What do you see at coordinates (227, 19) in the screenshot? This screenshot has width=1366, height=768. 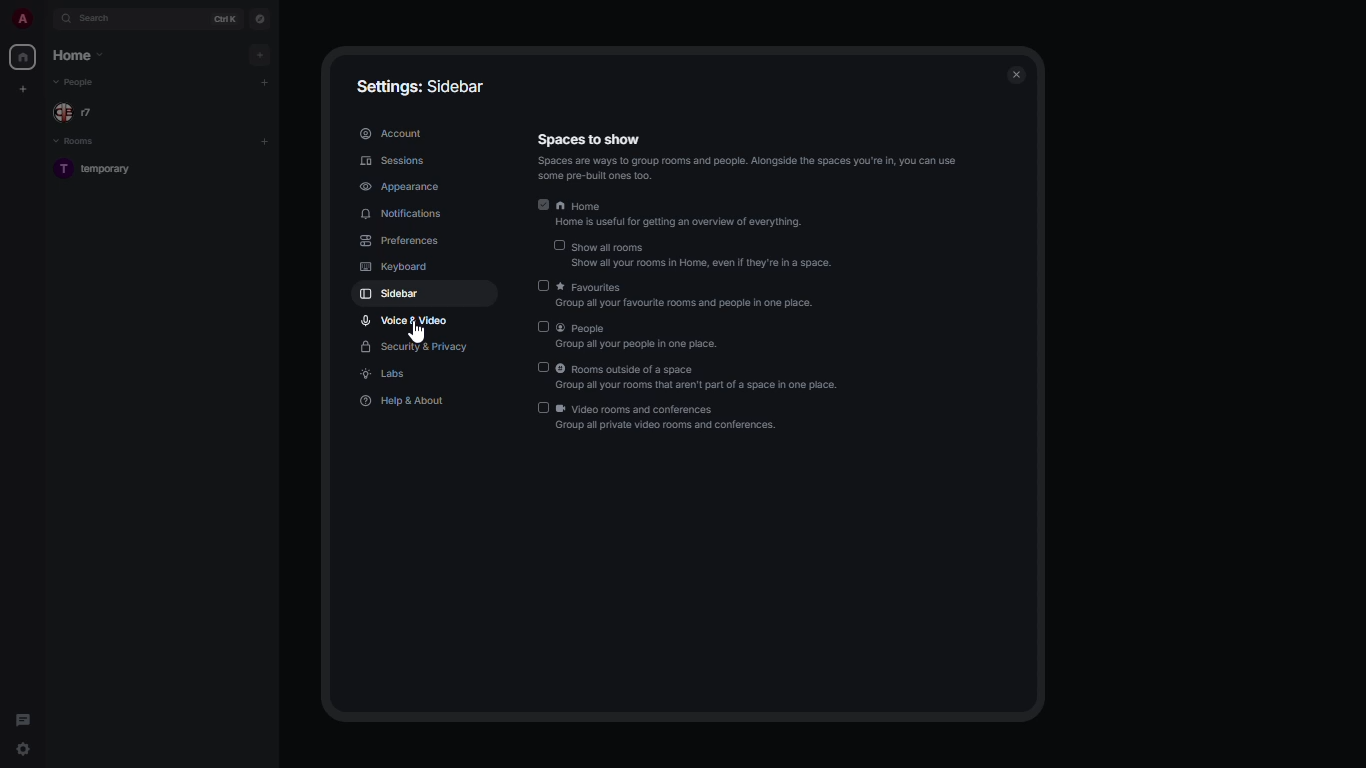 I see `ctrl K` at bounding box center [227, 19].